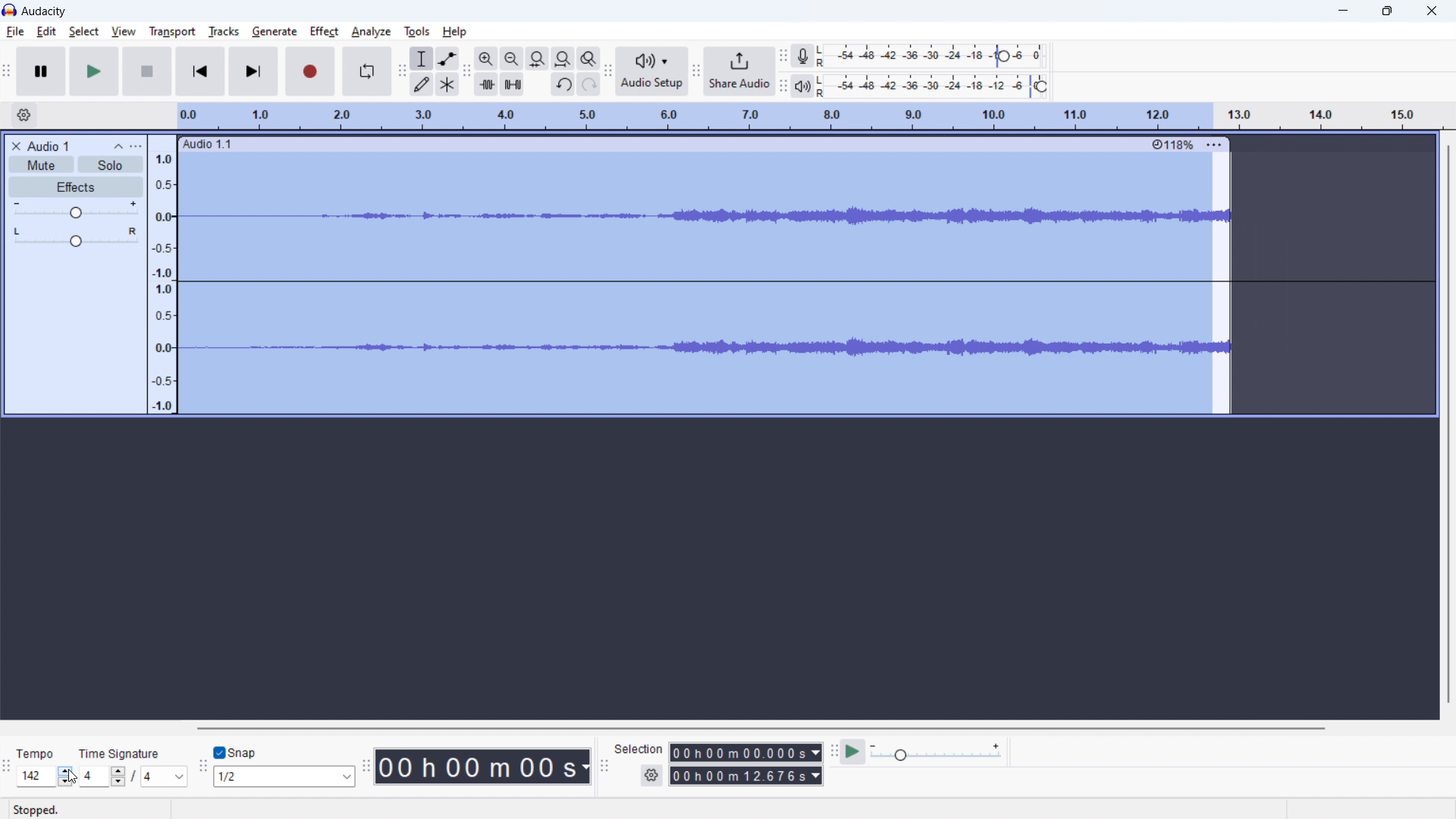  I want to click on tempo increased, so click(45, 777).